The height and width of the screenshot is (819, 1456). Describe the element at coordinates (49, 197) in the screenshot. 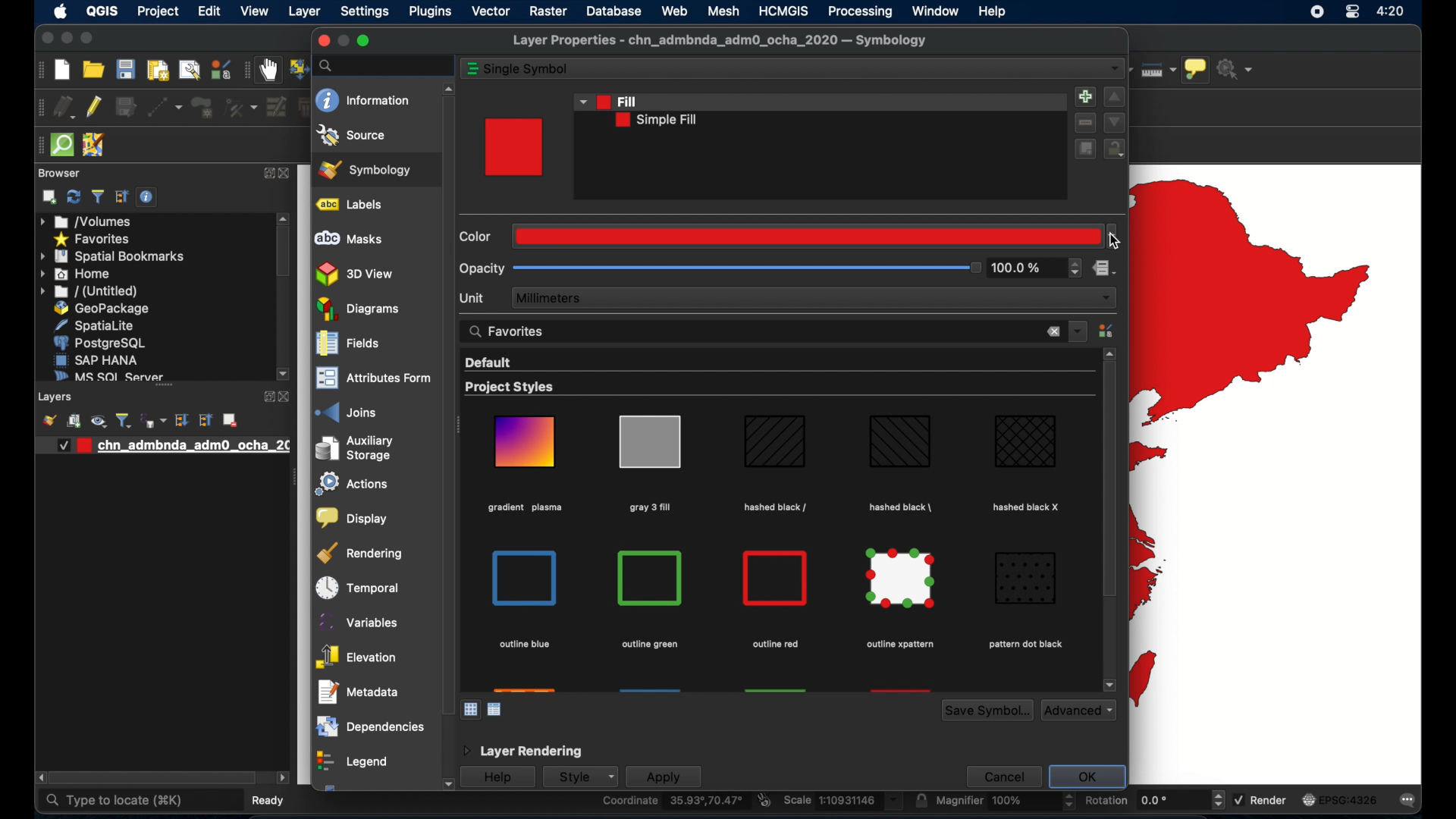

I see `add selected layers` at that location.